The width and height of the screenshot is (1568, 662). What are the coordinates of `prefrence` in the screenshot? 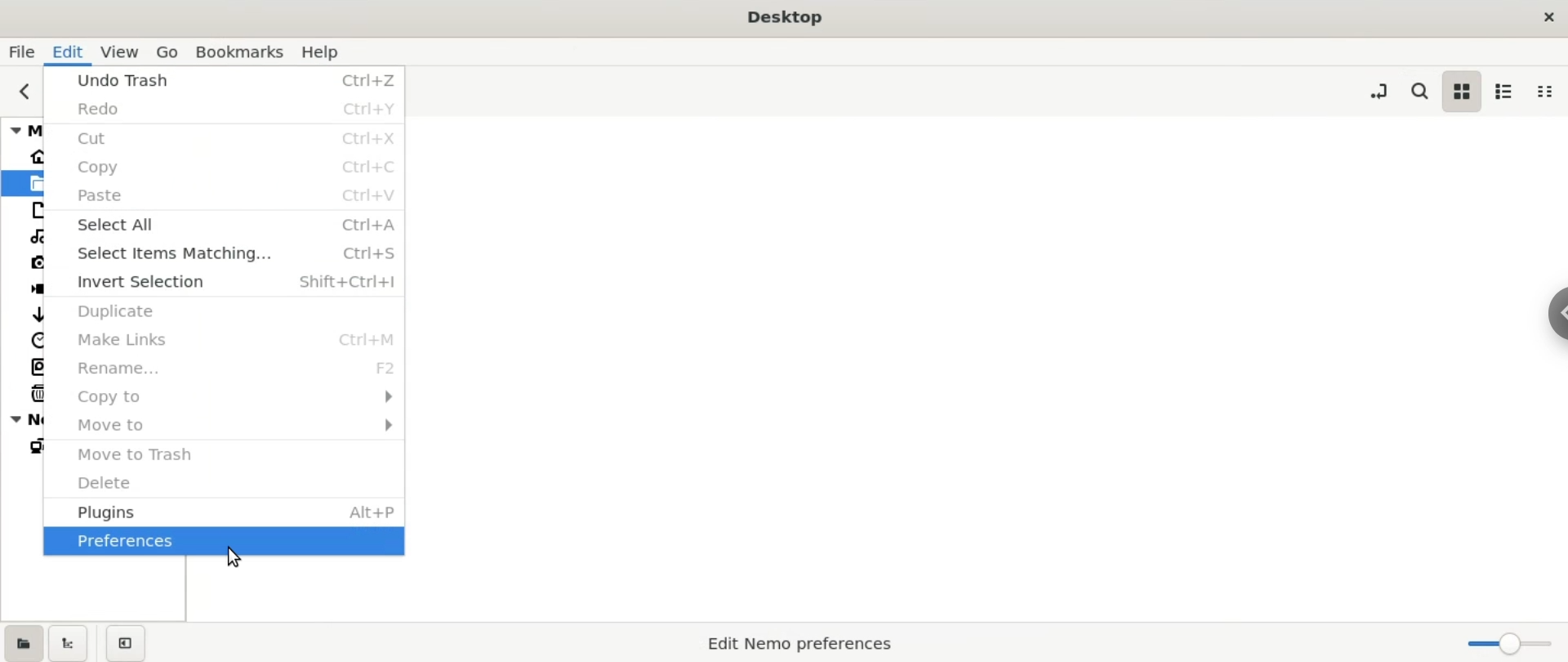 It's located at (223, 544).